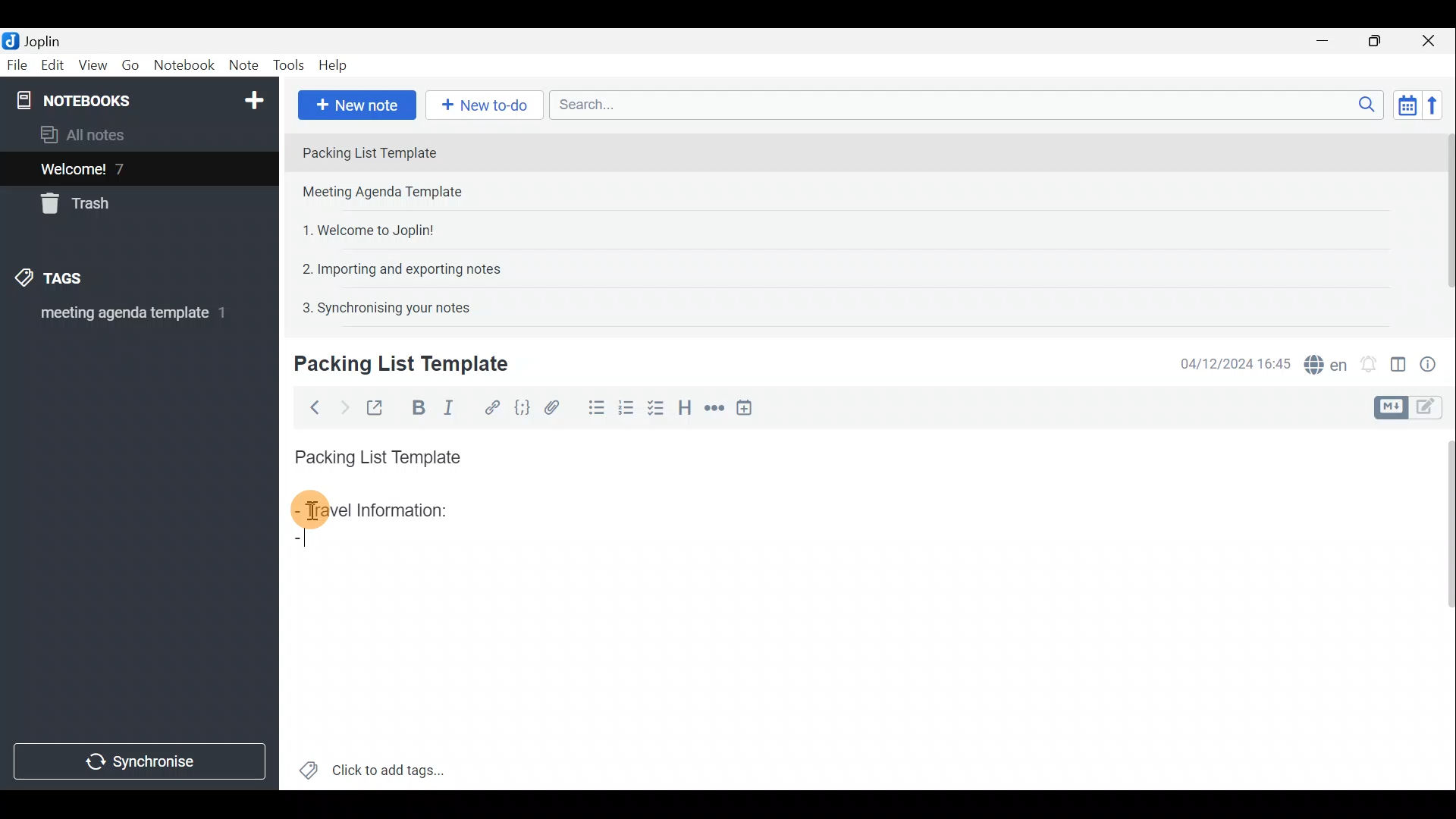 This screenshot has height=819, width=1456. Describe the element at coordinates (15, 64) in the screenshot. I see `File` at that location.